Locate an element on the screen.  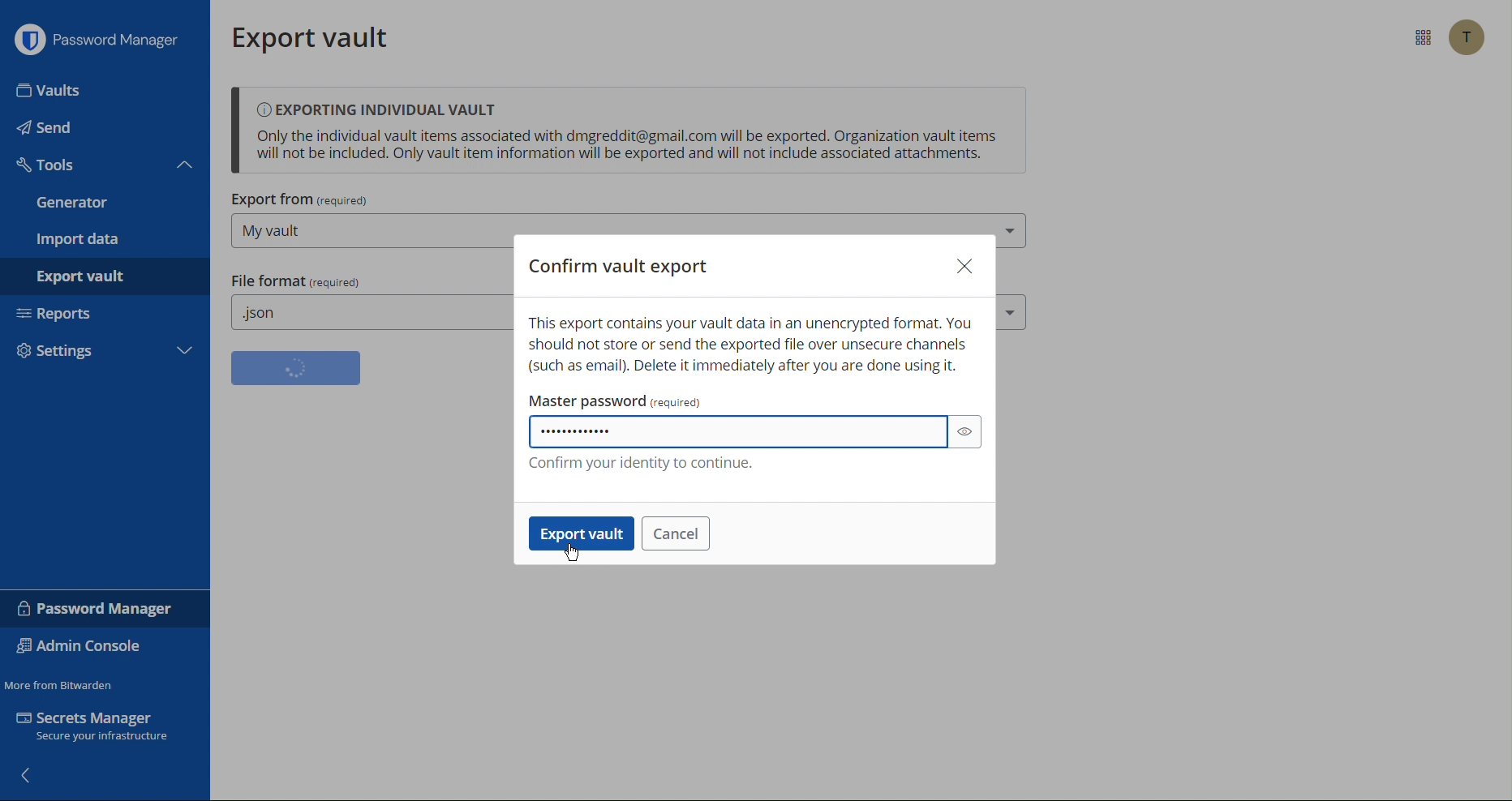
This export contains your vault data in an unencrypted format warning is located at coordinates (754, 344).